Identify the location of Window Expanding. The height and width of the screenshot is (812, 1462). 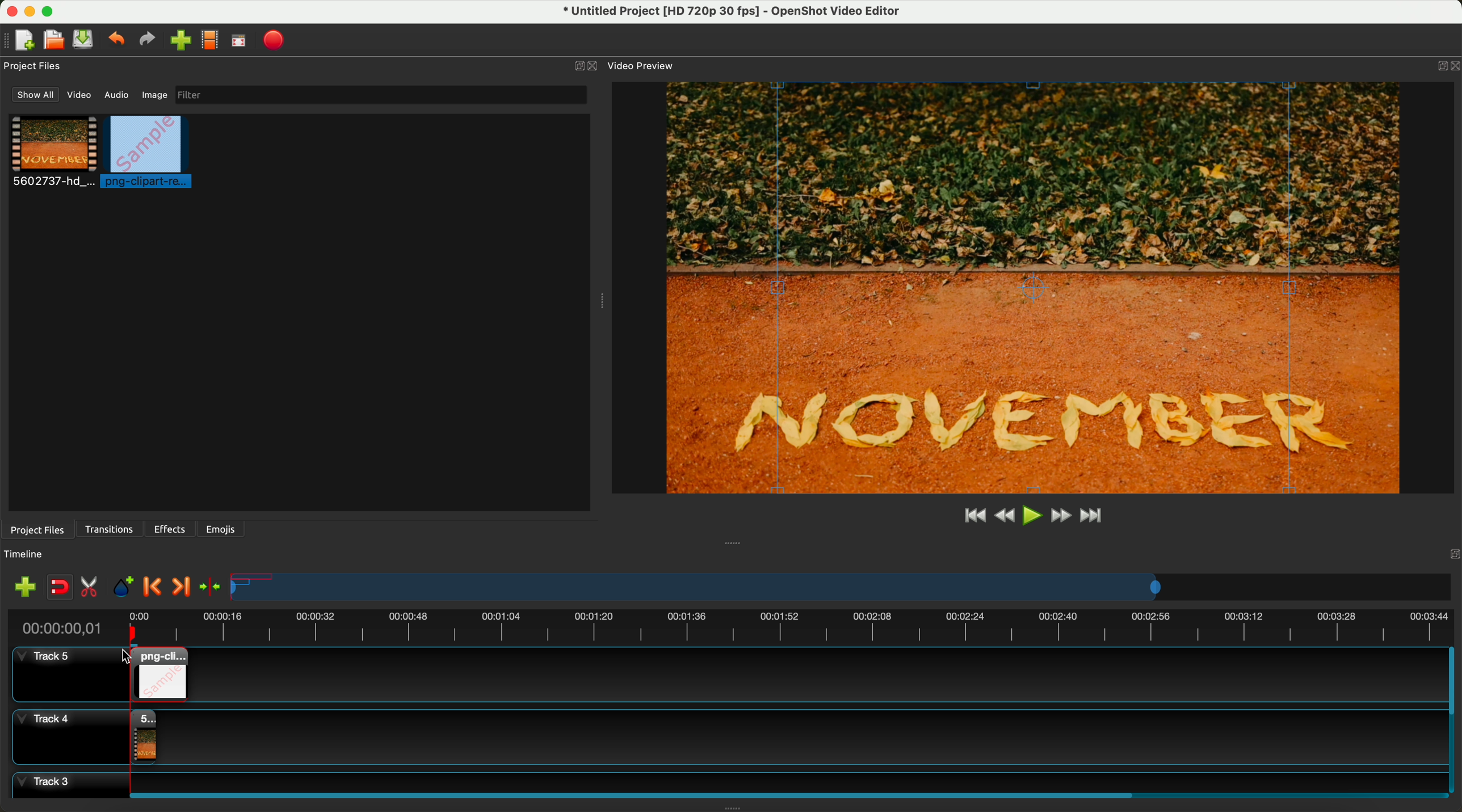
(733, 542).